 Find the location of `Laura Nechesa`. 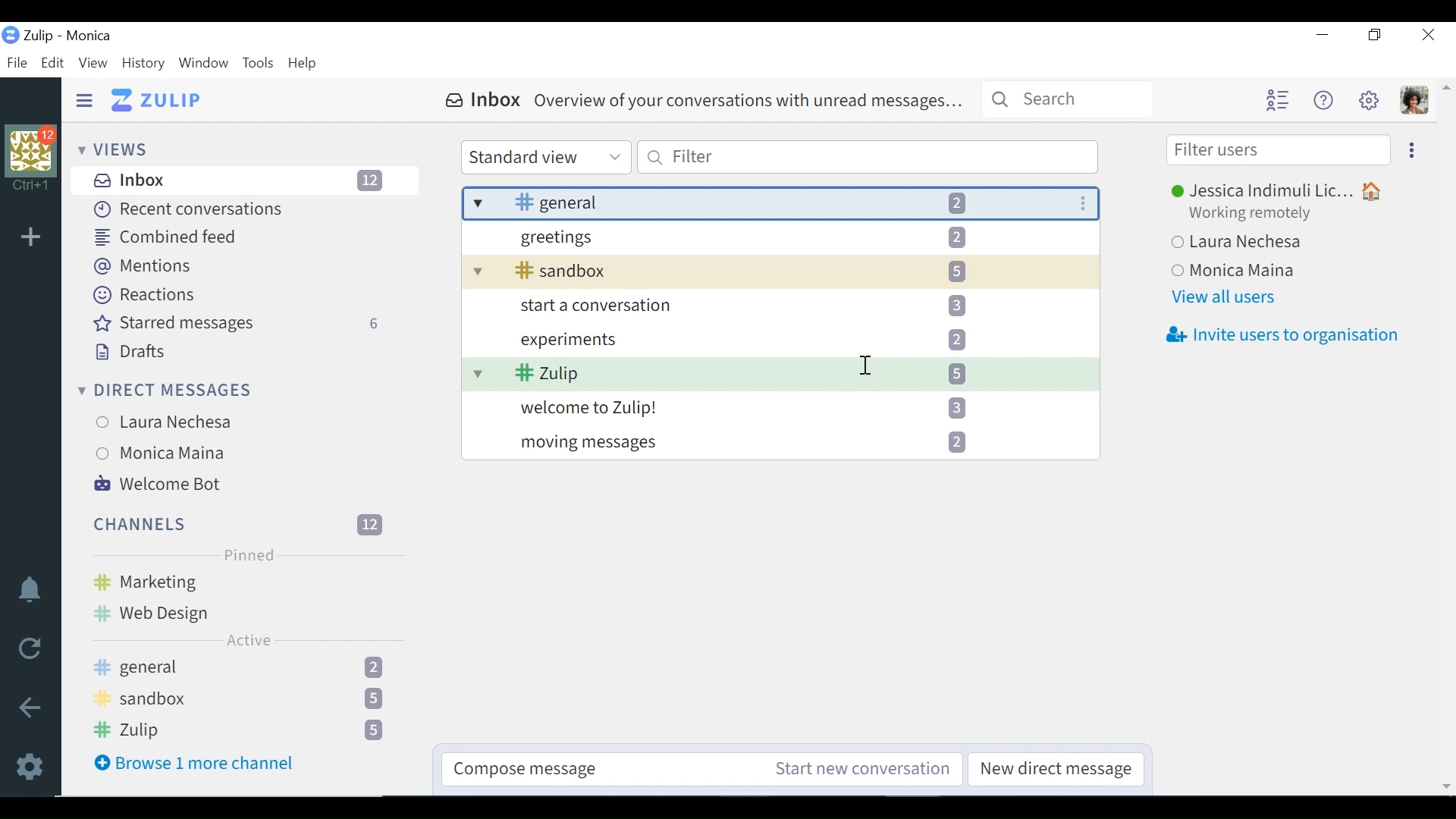

Laura Nechesa is located at coordinates (1233, 243).